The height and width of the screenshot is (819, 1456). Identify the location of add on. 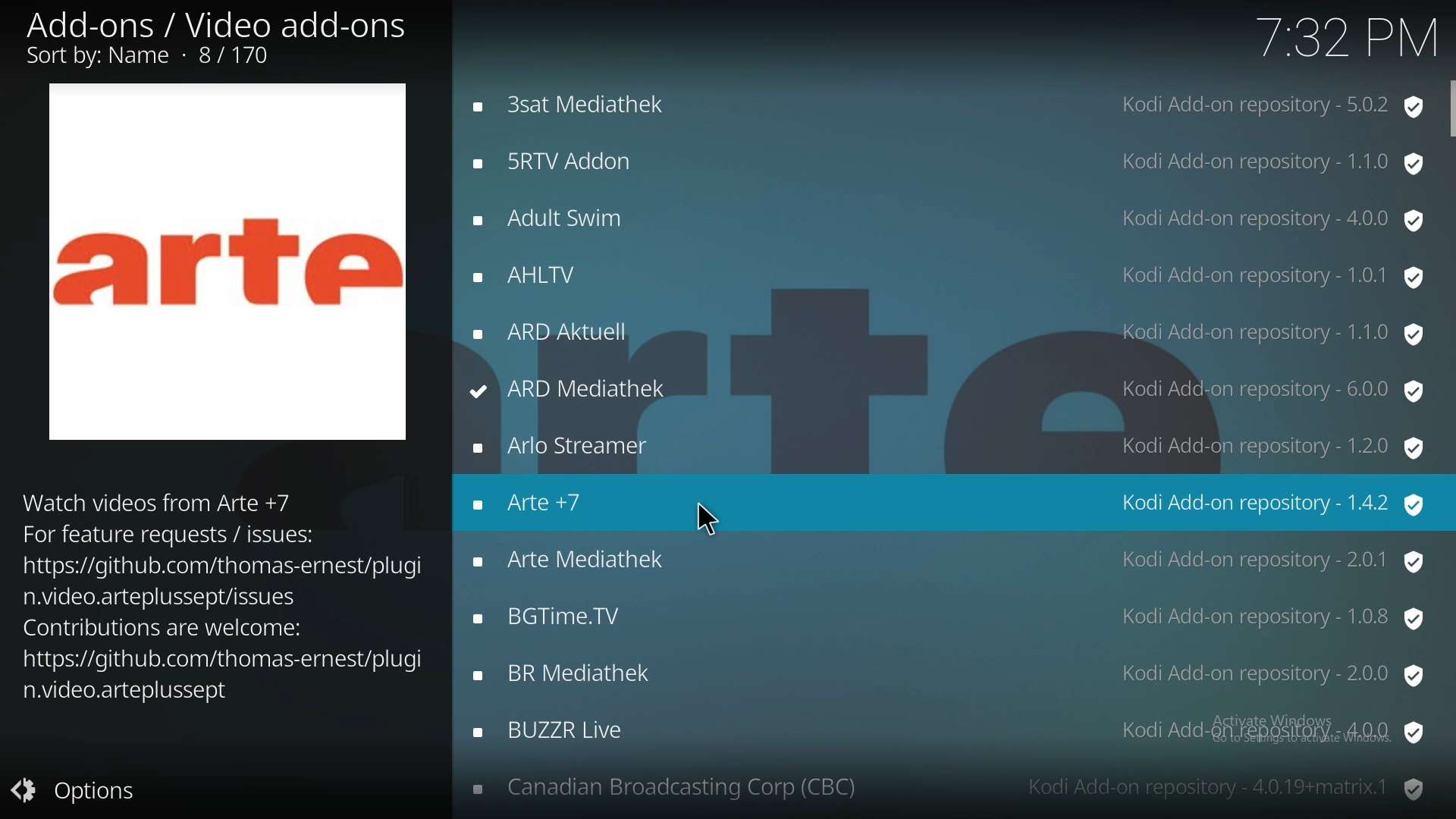
(943, 218).